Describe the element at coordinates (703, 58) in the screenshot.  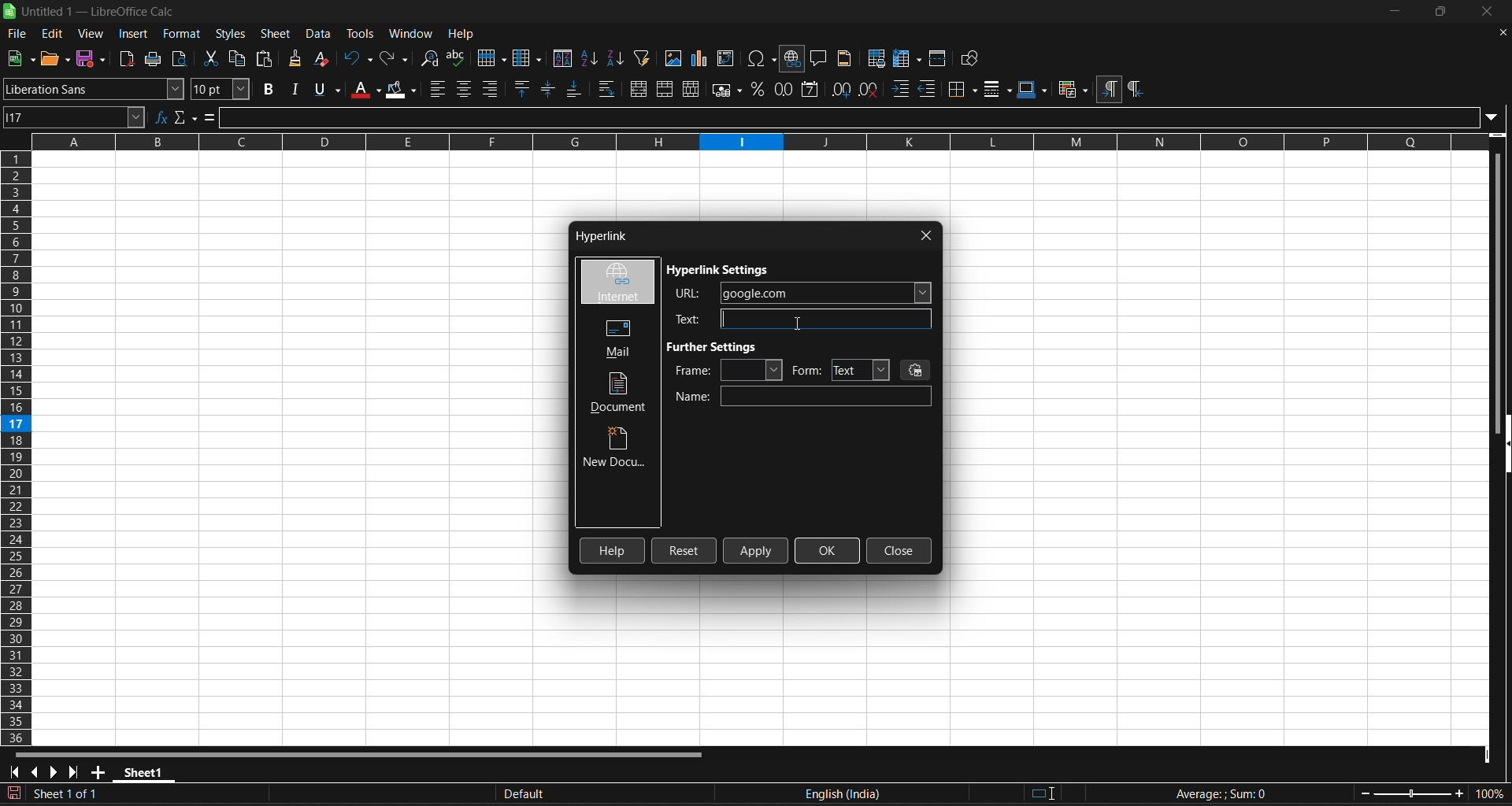
I see `insert chrt` at that location.